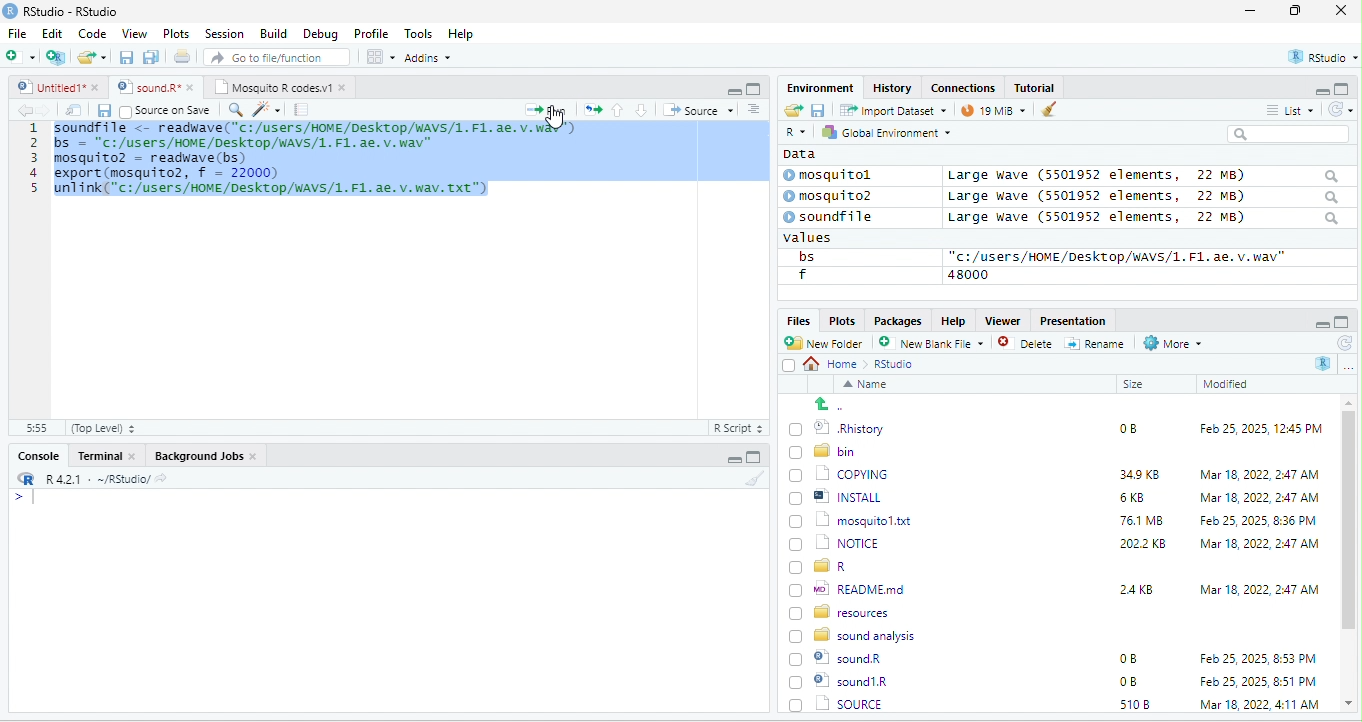 This screenshot has height=722, width=1362. I want to click on save, so click(128, 58).